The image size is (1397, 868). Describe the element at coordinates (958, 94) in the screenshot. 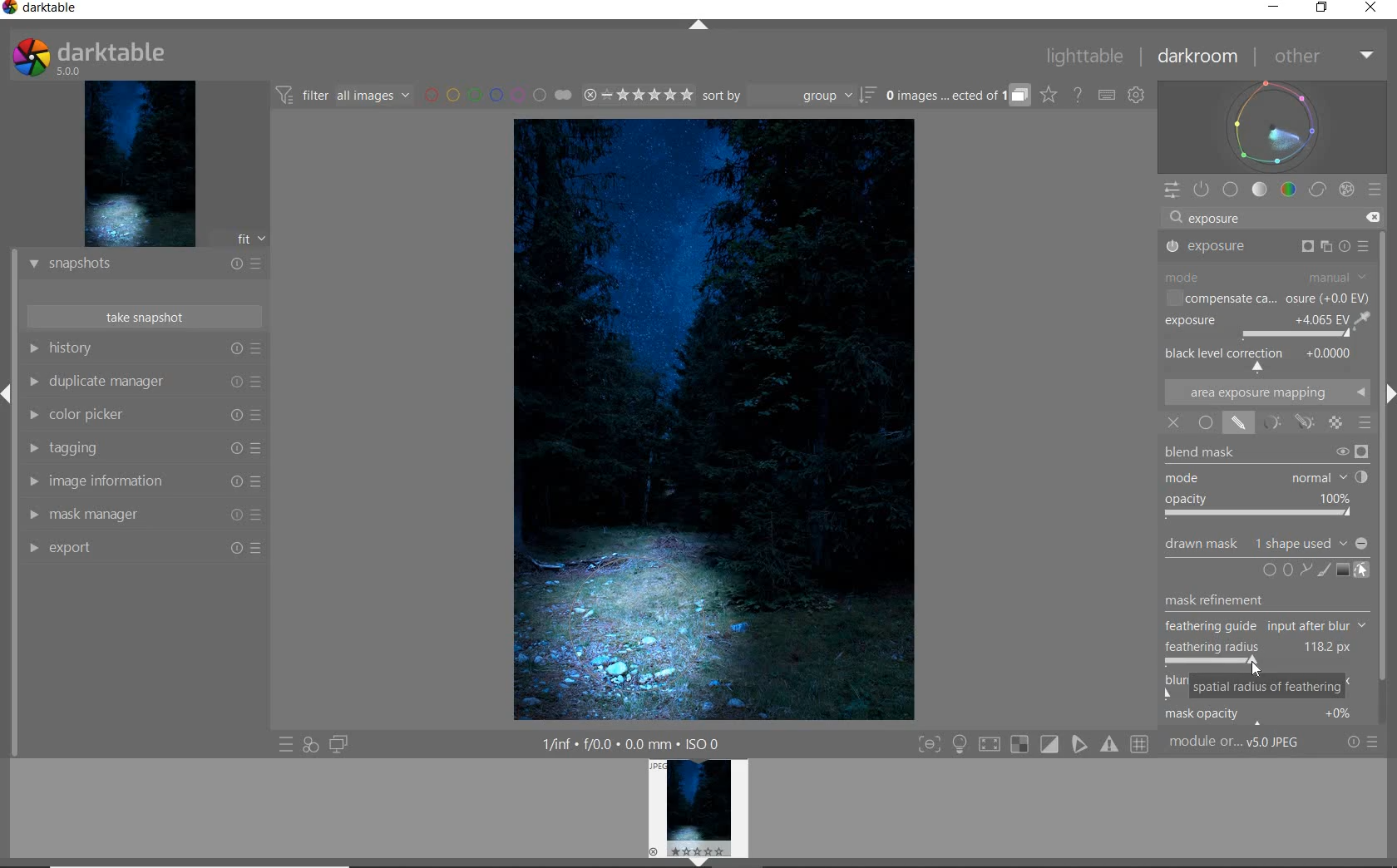

I see `EXPAND GROUPED IMAGES` at that location.